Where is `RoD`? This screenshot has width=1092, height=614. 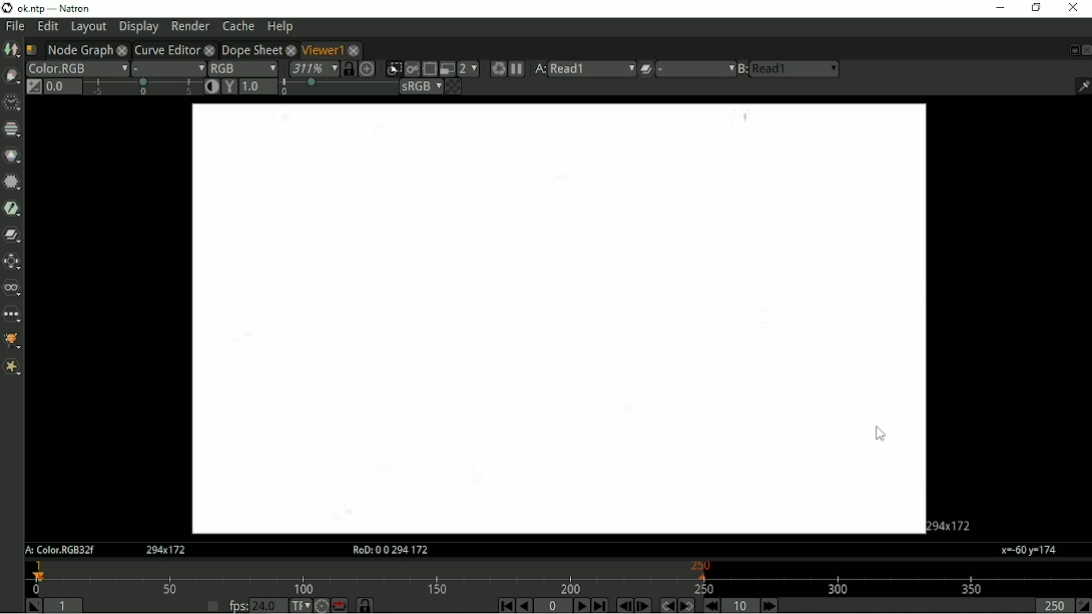
RoD is located at coordinates (390, 550).